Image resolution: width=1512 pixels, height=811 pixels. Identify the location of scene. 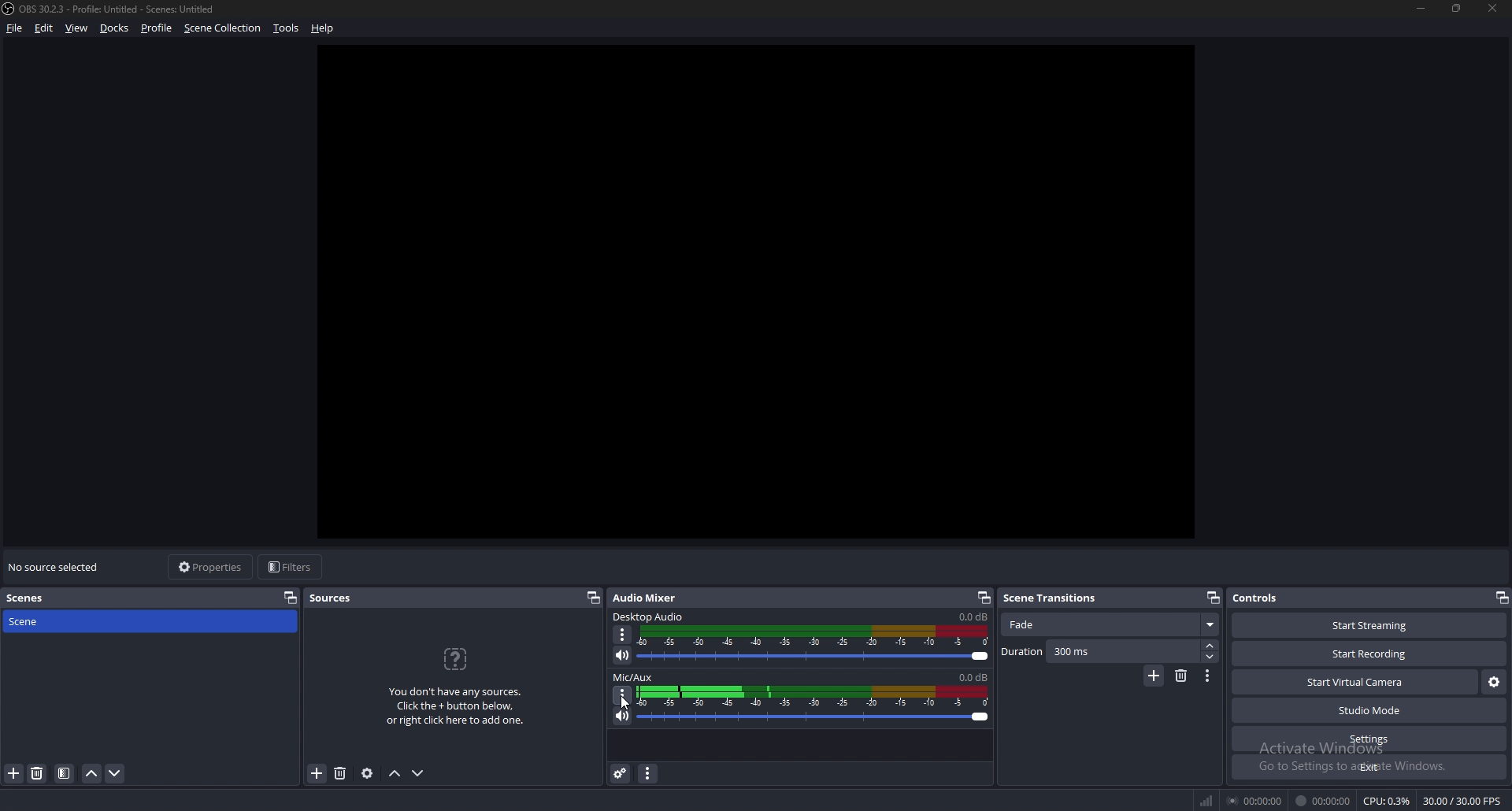
(1112, 624).